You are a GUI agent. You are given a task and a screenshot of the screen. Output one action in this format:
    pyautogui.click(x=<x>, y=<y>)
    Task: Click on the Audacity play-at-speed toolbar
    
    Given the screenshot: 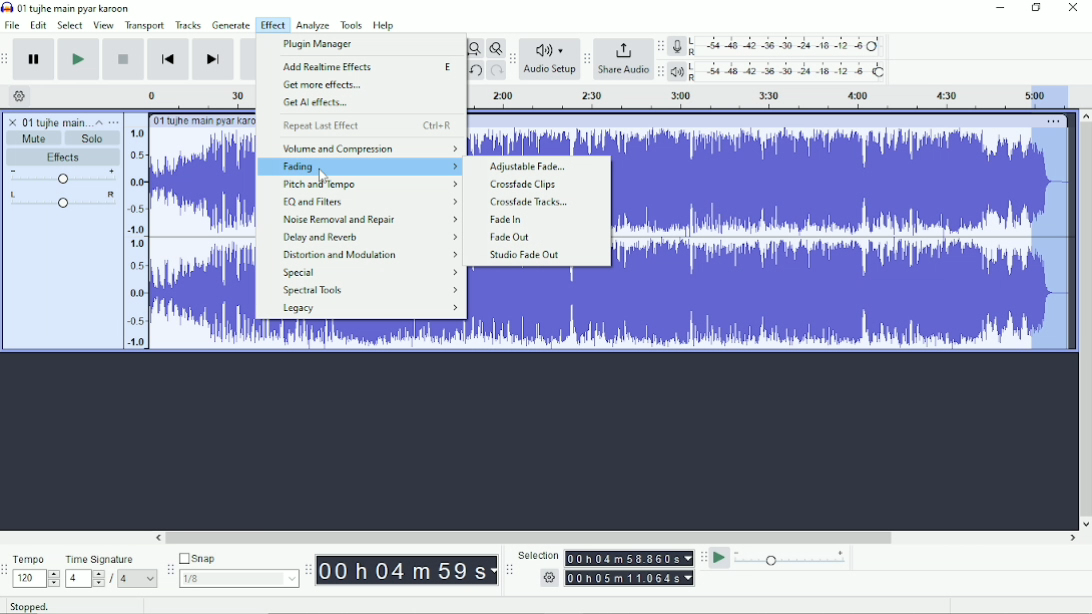 What is the action you would take?
    pyautogui.click(x=703, y=558)
    